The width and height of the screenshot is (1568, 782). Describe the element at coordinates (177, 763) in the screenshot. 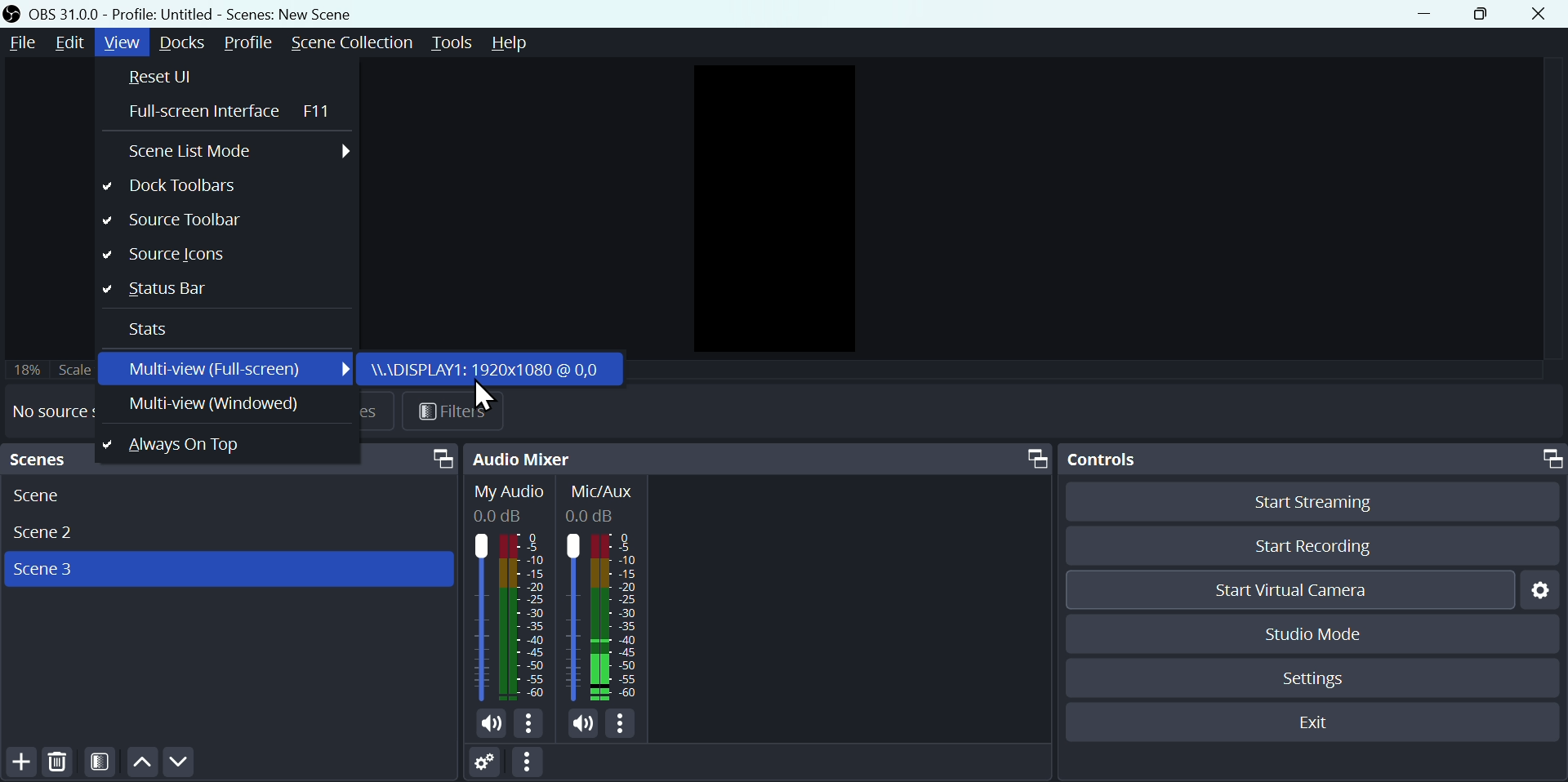

I see `Move down` at that location.